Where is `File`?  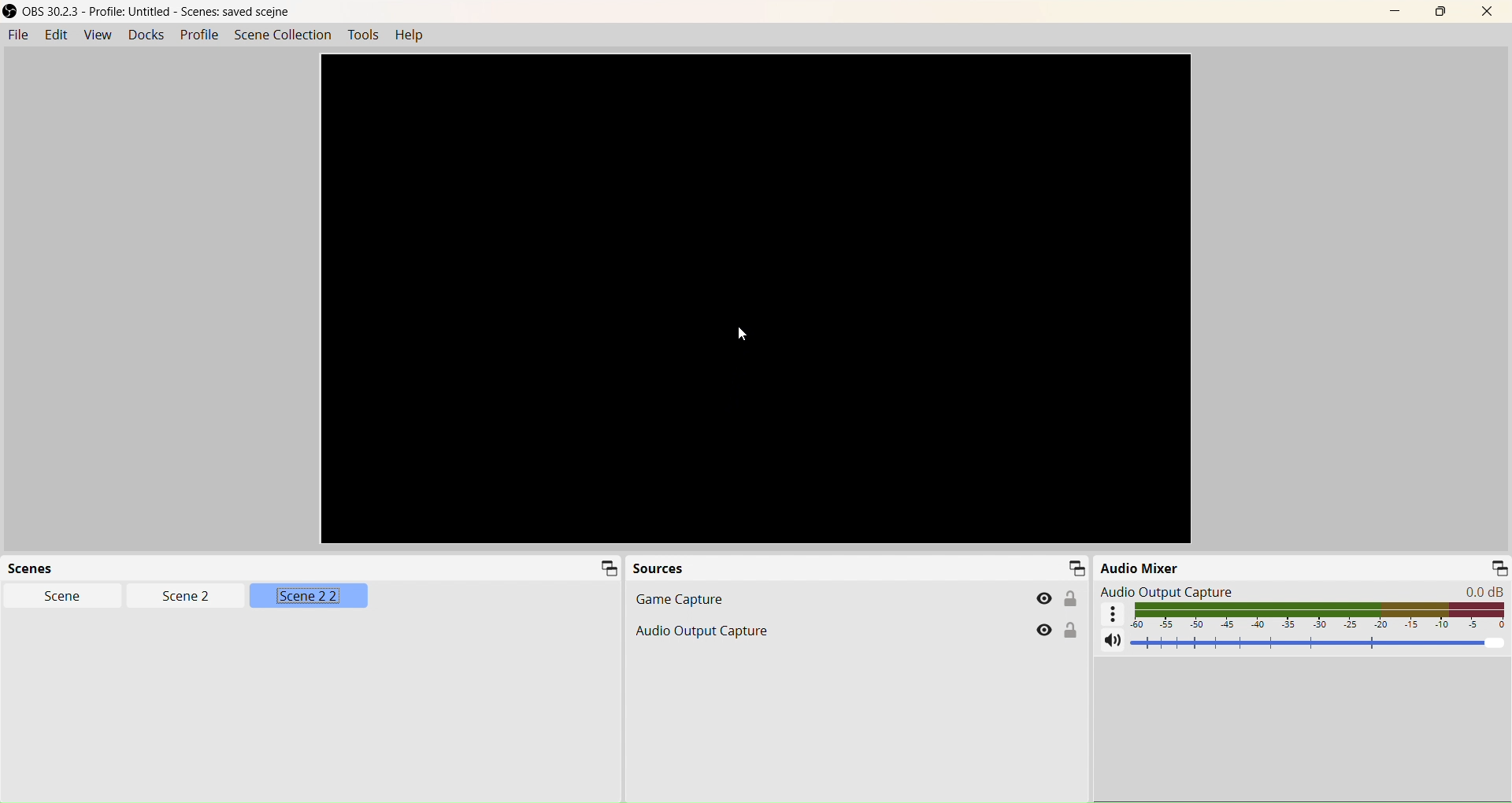
File is located at coordinates (17, 35).